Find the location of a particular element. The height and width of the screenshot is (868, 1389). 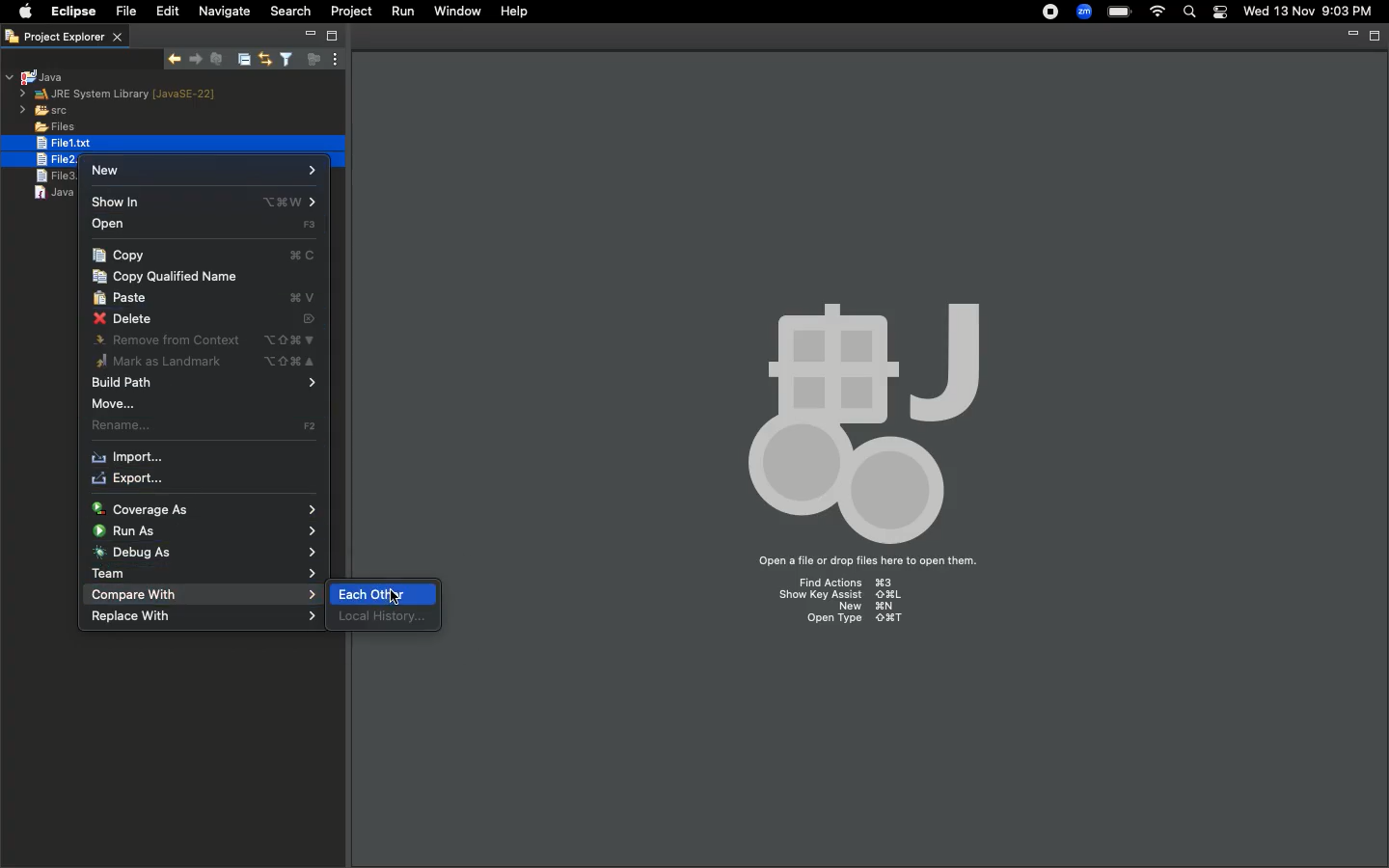

src is located at coordinates (44, 110).